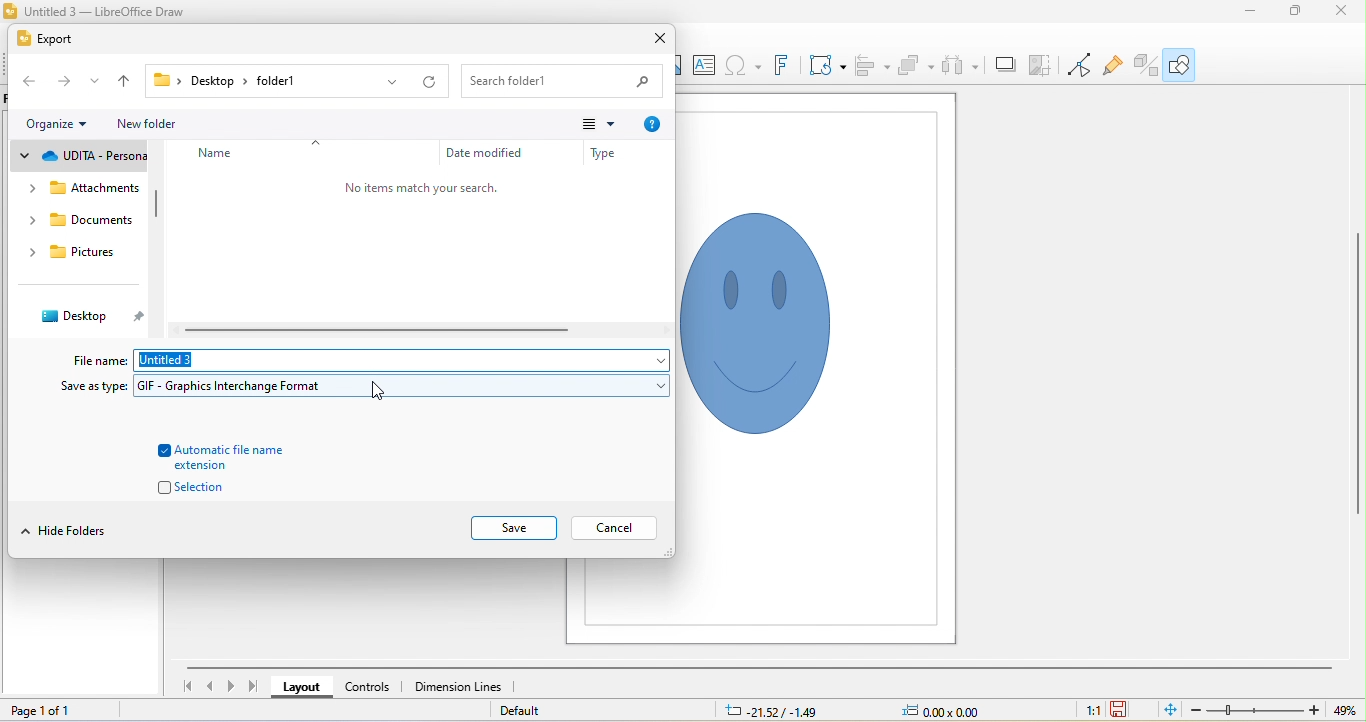 This screenshot has width=1366, height=722. I want to click on toggle point edit mode, so click(1080, 67).